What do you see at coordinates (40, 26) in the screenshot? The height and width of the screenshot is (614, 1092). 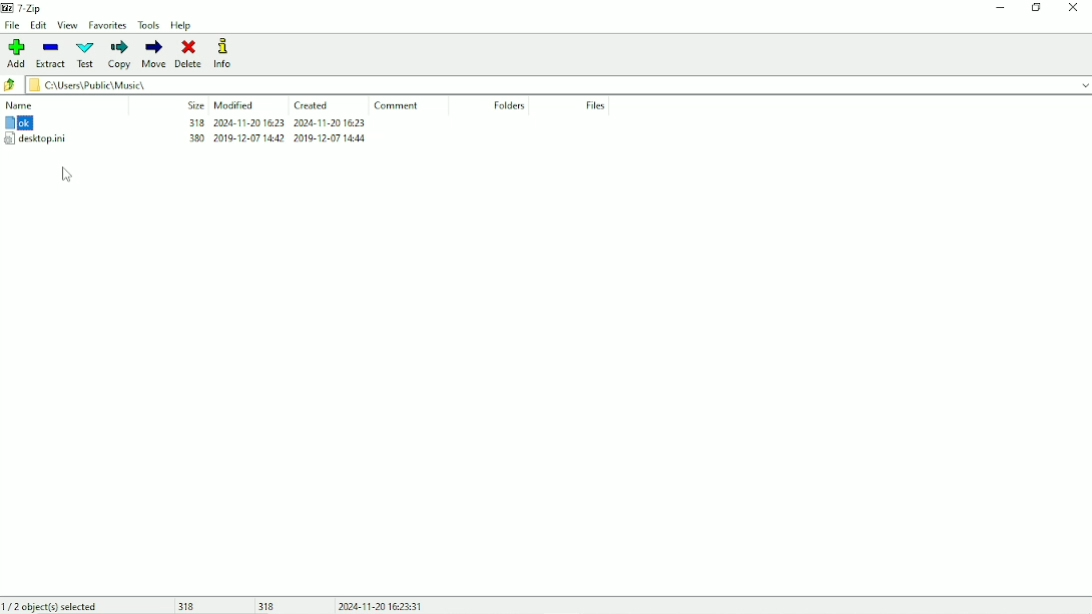 I see `Edit` at bounding box center [40, 26].